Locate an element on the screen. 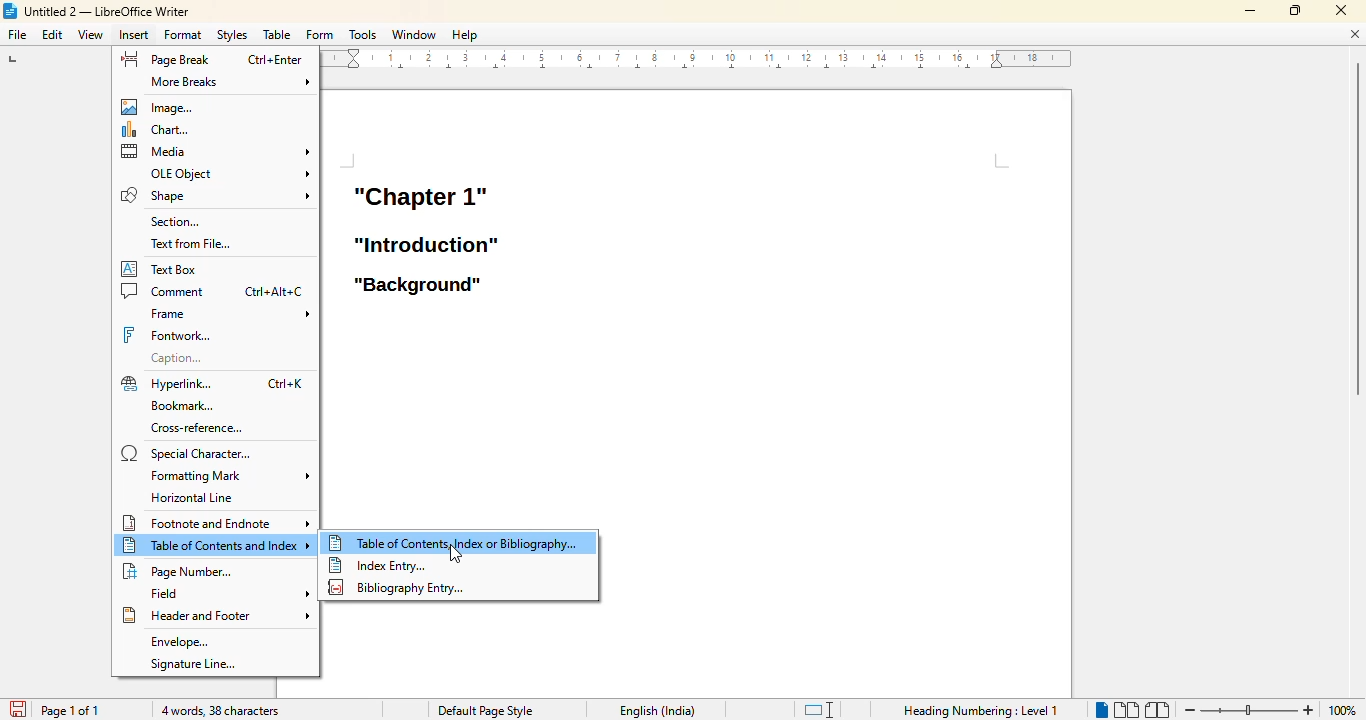  shortcut for page break is located at coordinates (274, 60).